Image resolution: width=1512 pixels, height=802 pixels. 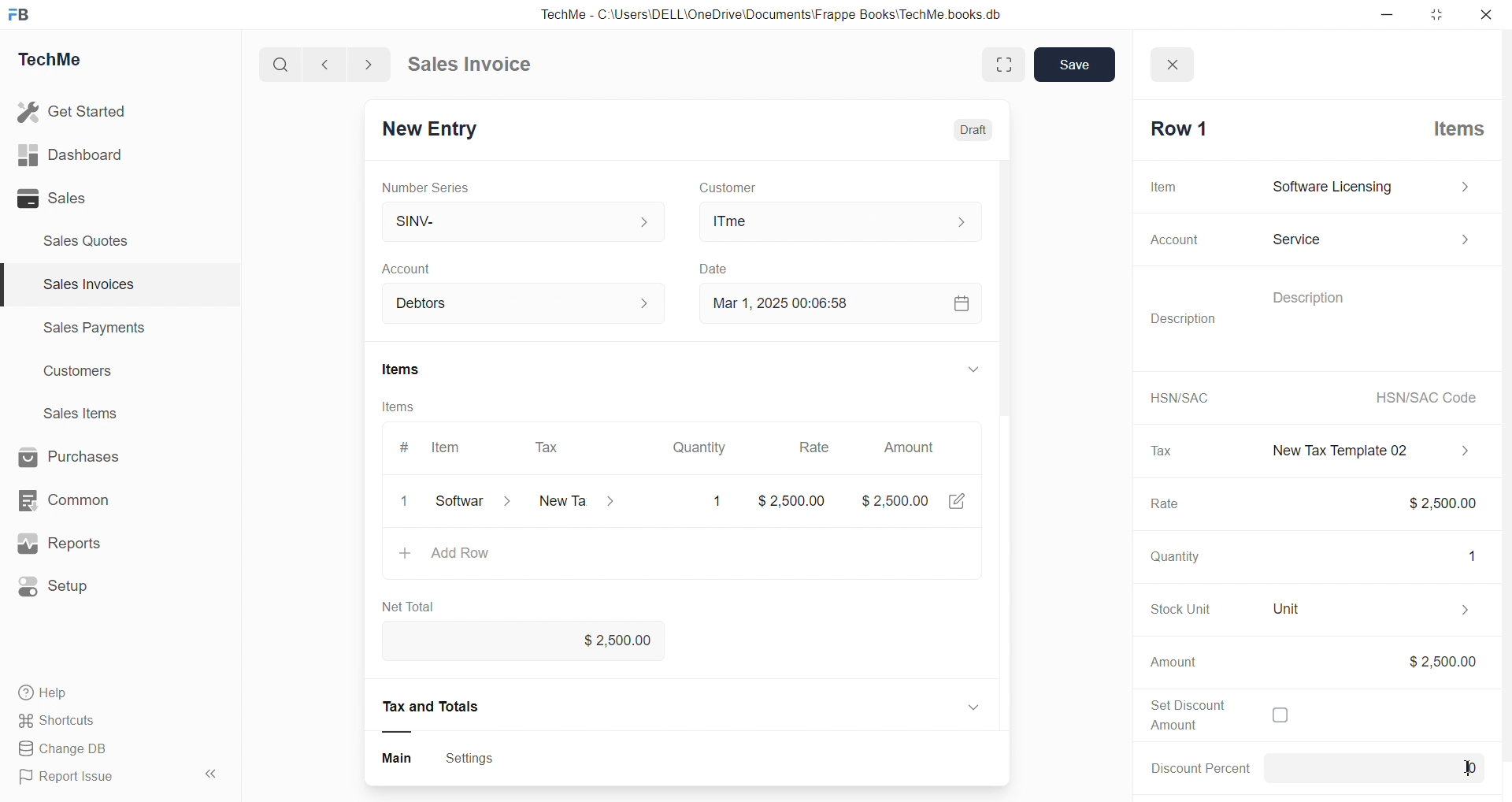 I want to click on Account, so click(x=416, y=266).